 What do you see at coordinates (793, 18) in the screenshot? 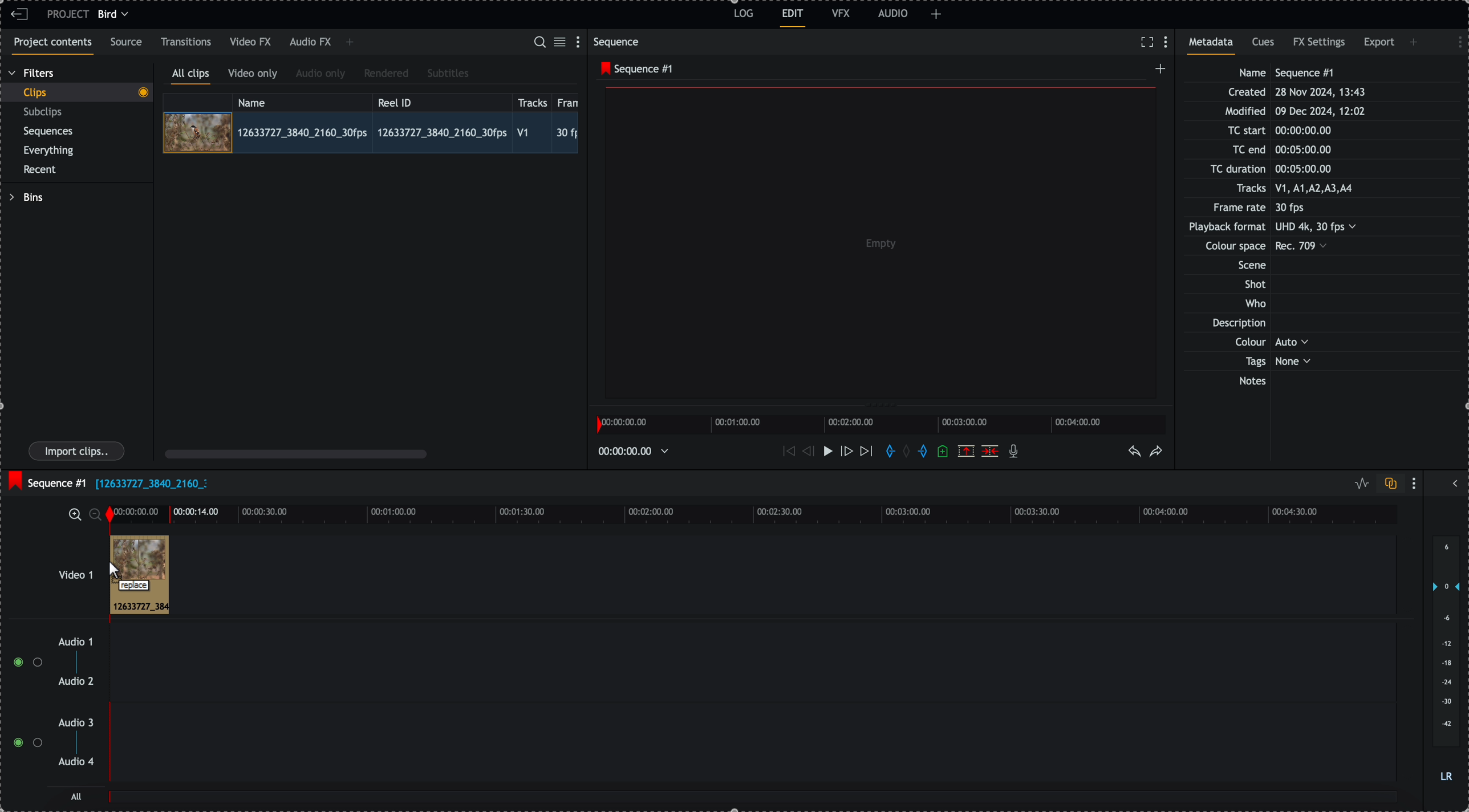
I see `edit` at bounding box center [793, 18].